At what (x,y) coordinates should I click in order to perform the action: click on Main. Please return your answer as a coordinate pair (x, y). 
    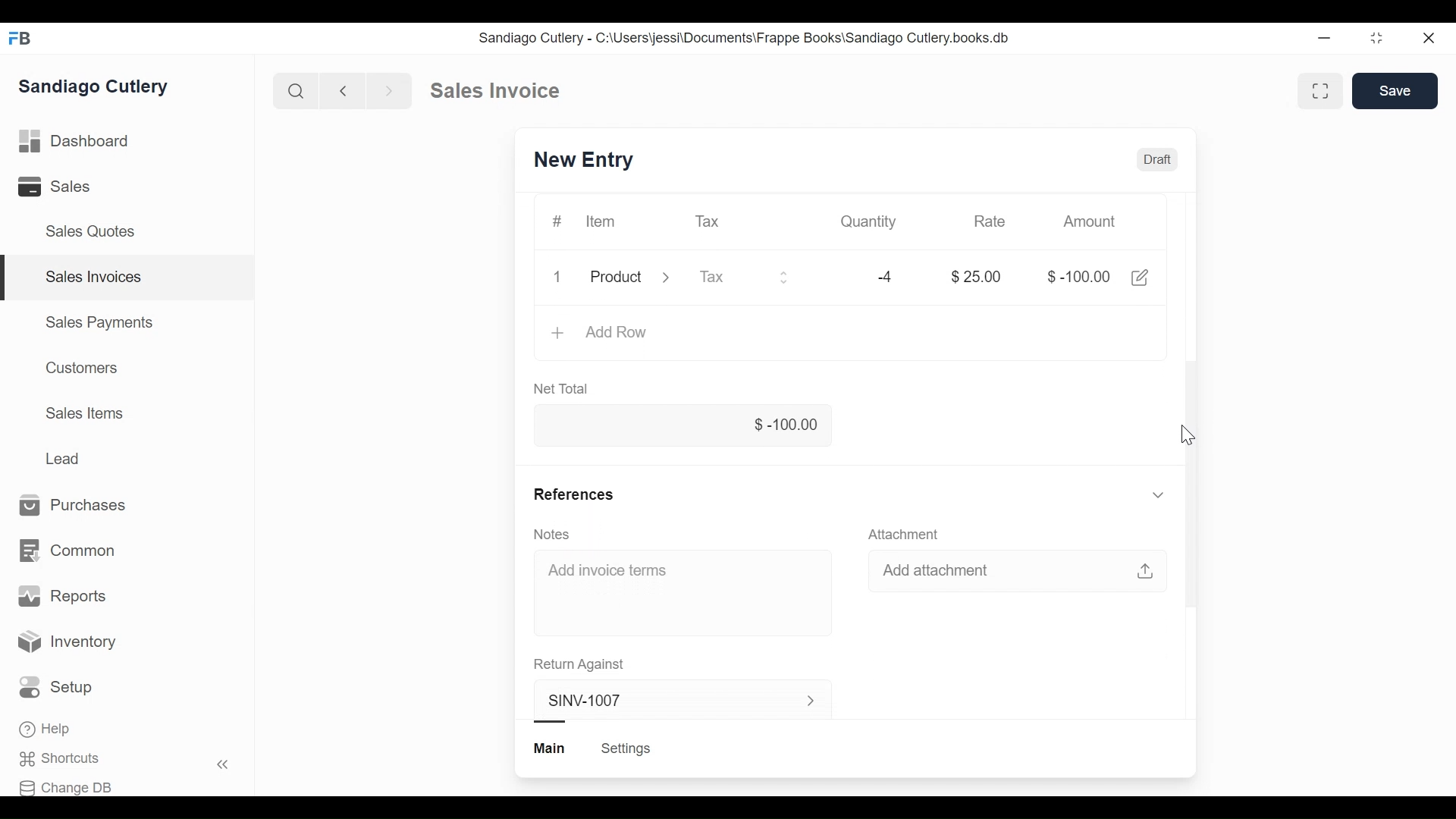
    Looking at the image, I should click on (551, 748).